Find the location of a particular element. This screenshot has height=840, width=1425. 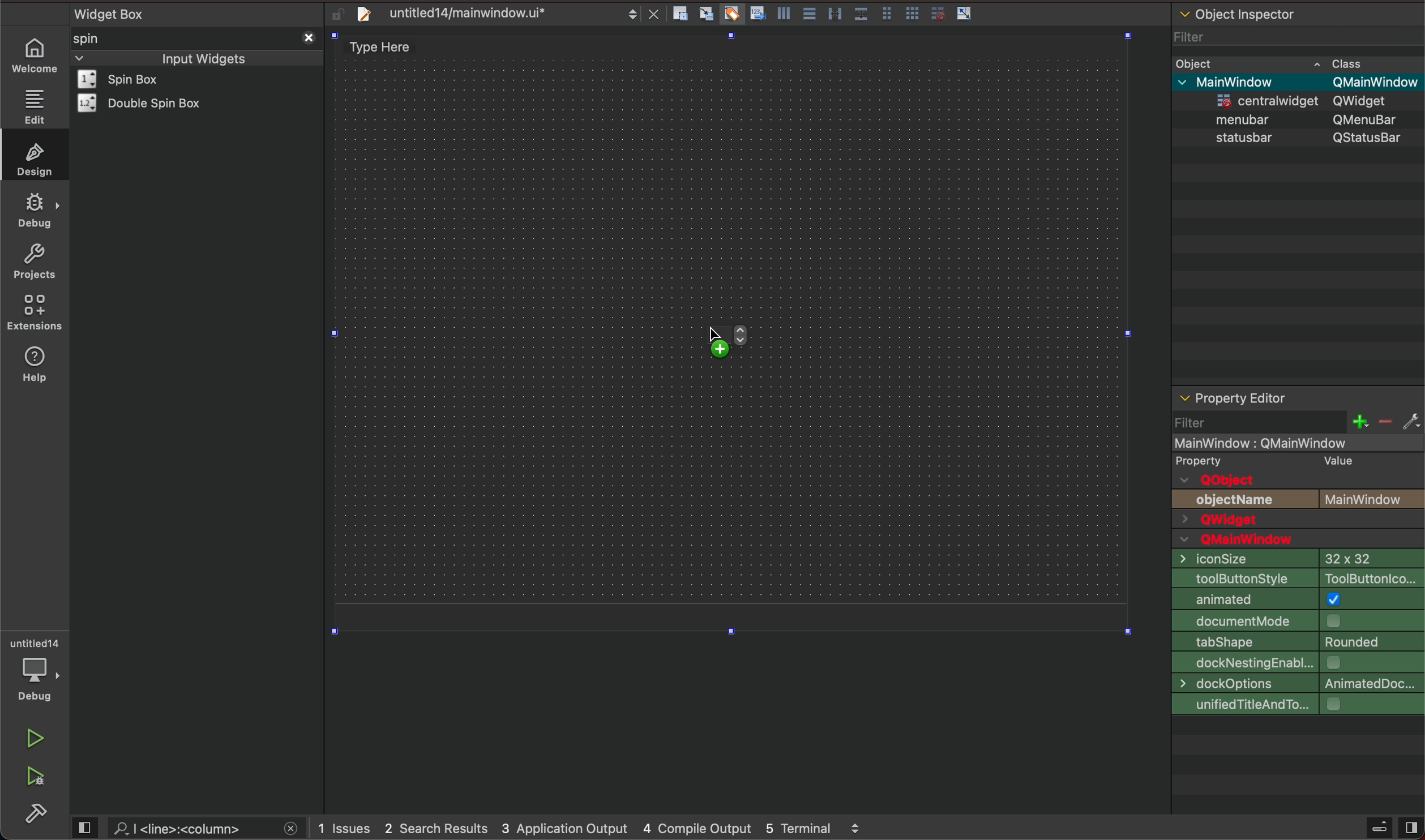

build is located at coordinates (38, 814).